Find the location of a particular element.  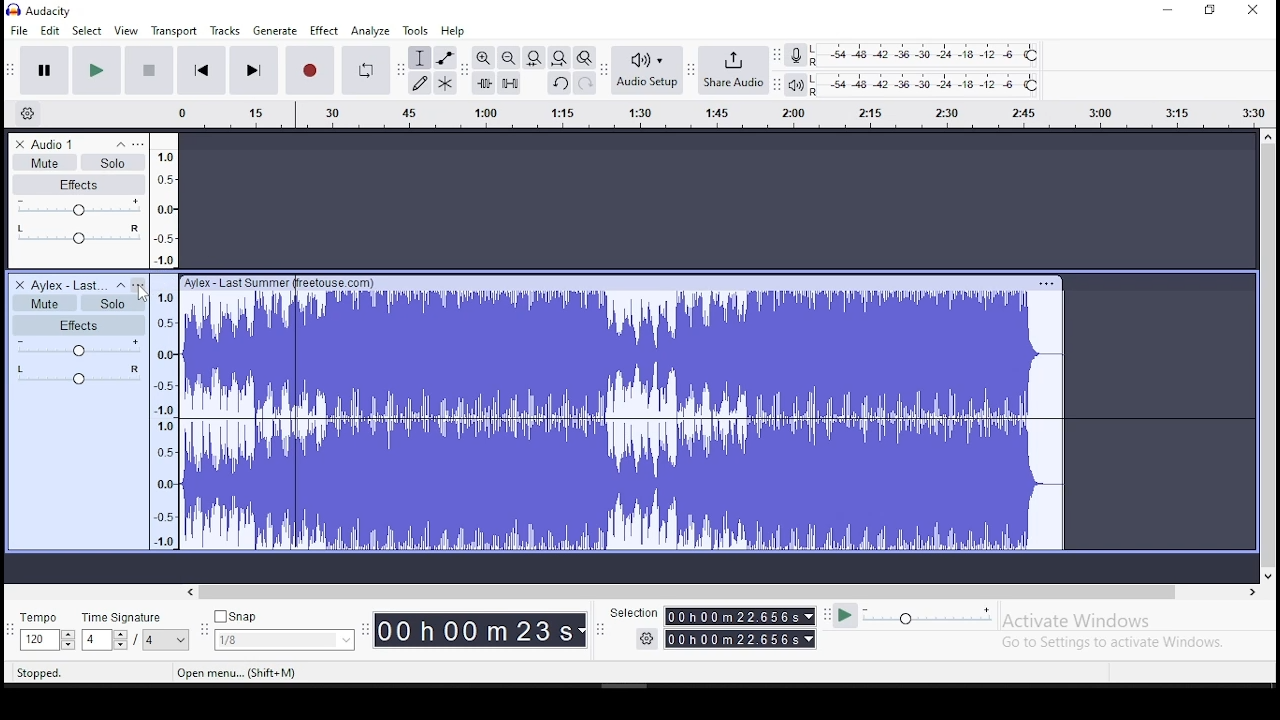

scroll bar is located at coordinates (1268, 356).